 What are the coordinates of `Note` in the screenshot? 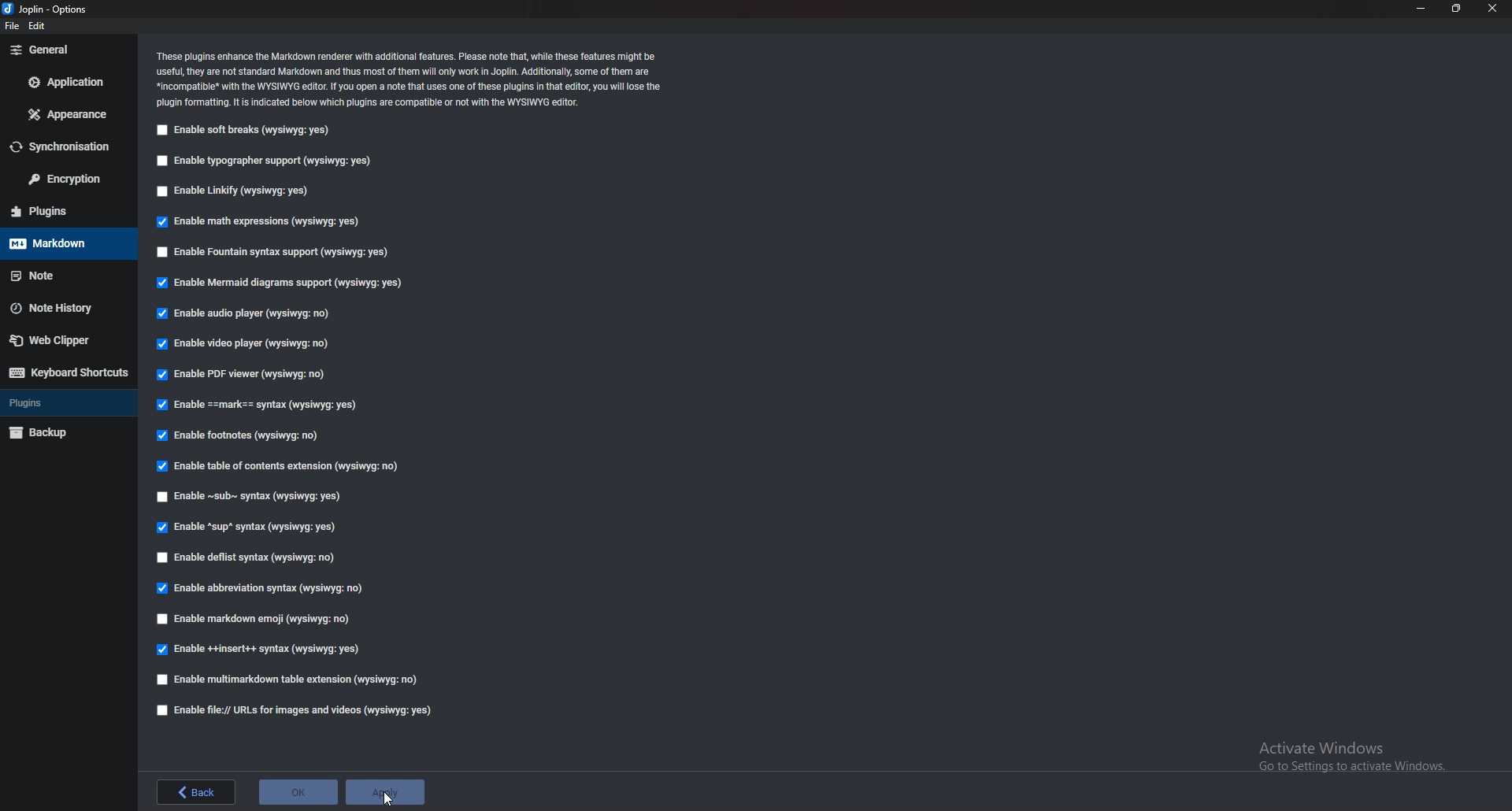 It's located at (61, 276).